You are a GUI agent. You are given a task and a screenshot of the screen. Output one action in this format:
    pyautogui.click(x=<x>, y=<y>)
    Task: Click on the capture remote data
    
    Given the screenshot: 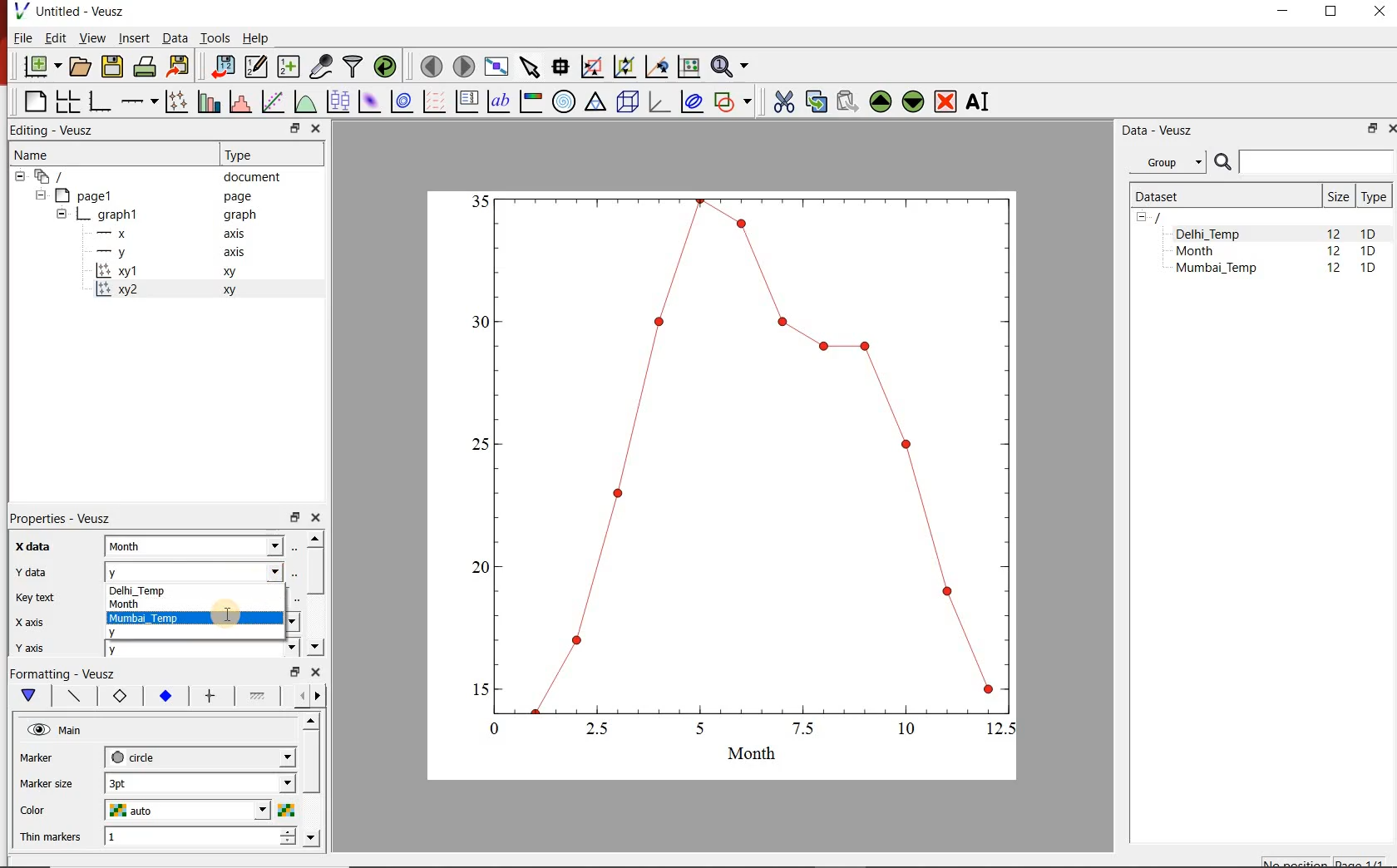 What is the action you would take?
    pyautogui.click(x=322, y=67)
    